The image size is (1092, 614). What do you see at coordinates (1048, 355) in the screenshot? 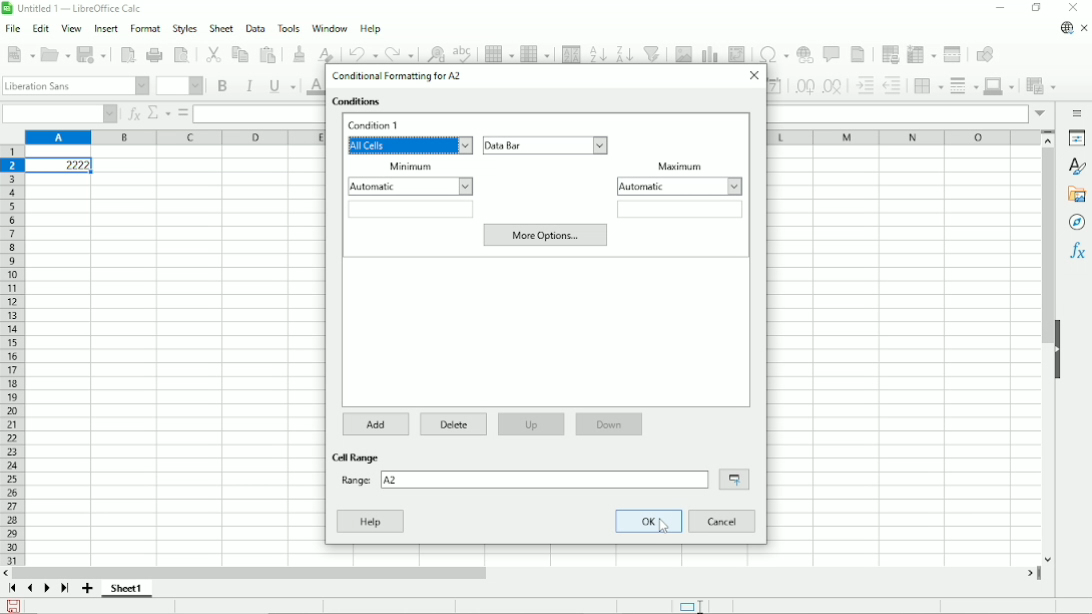
I see `Vertical scrollbar` at bounding box center [1048, 355].